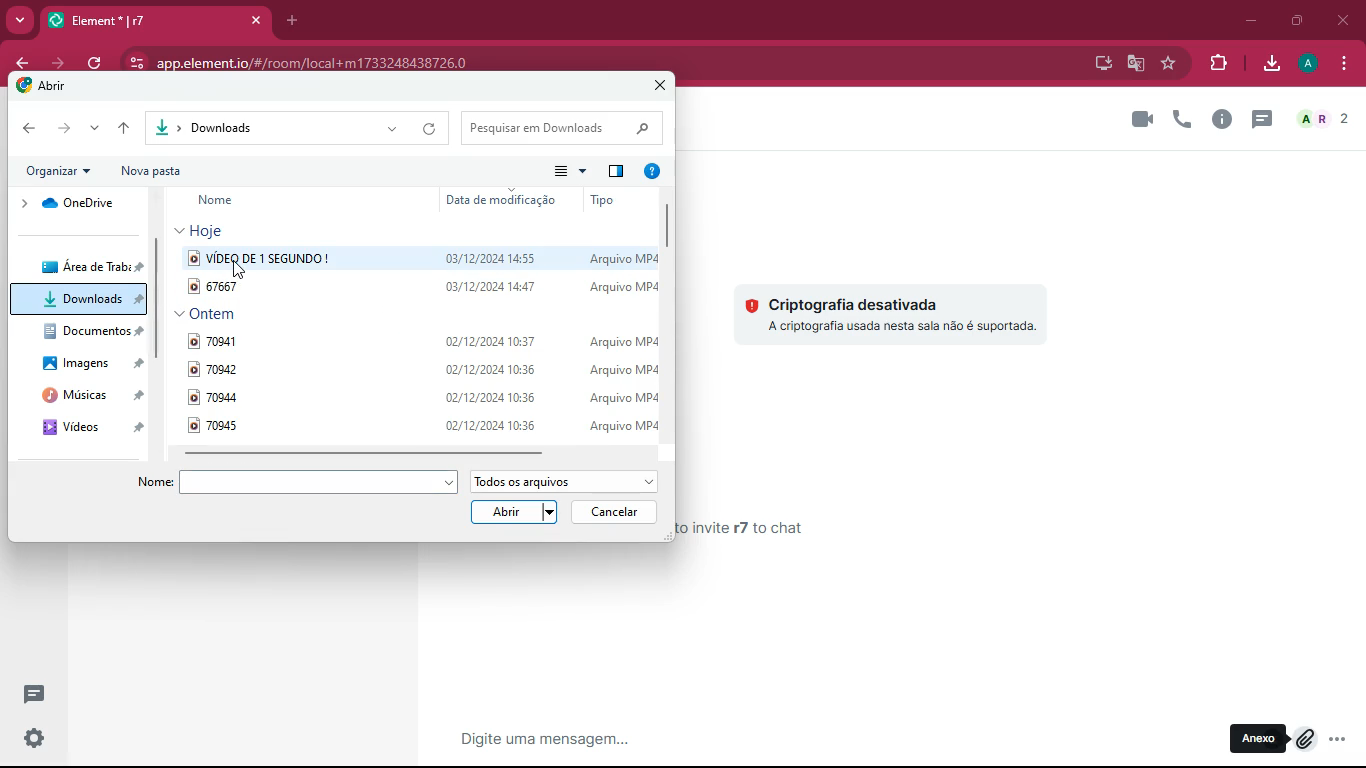 This screenshot has width=1366, height=768. I want to click on settings, so click(33, 739).